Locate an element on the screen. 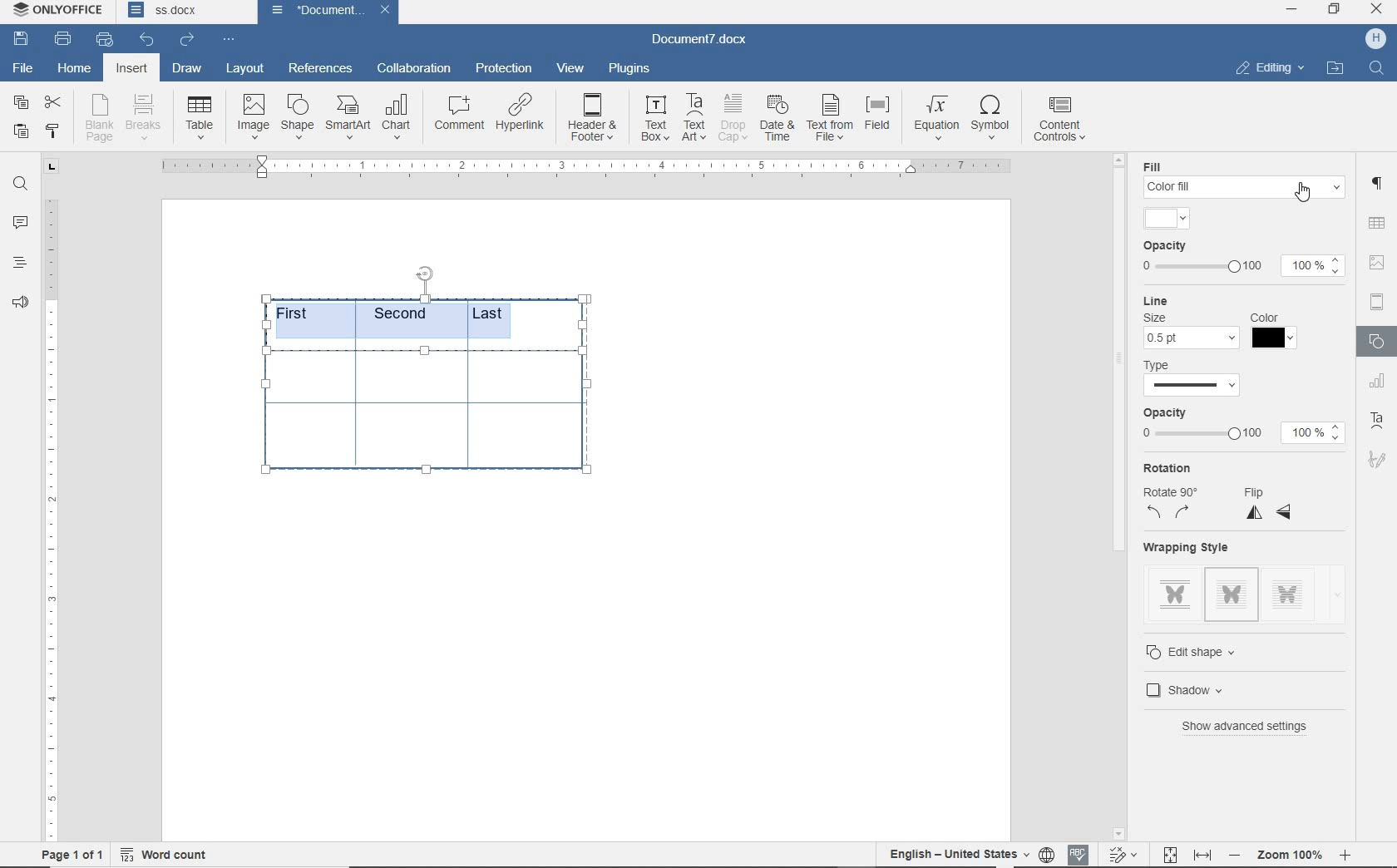 The width and height of the screenshot is (1397, 868). type is located at coordinates (1166, 364).